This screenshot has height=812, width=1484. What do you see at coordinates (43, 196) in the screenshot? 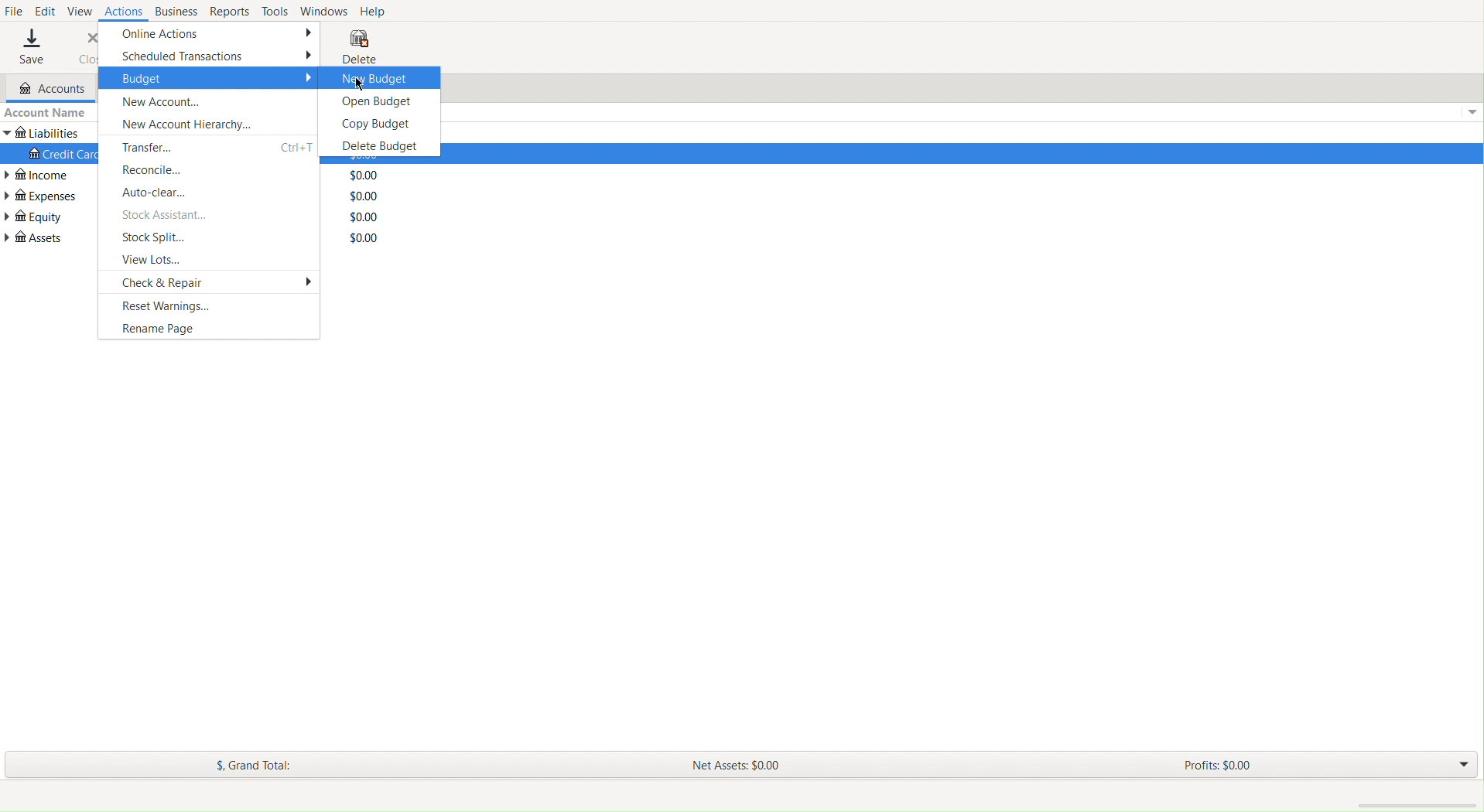
I see `Expenses` at bounding box center [43, 196].